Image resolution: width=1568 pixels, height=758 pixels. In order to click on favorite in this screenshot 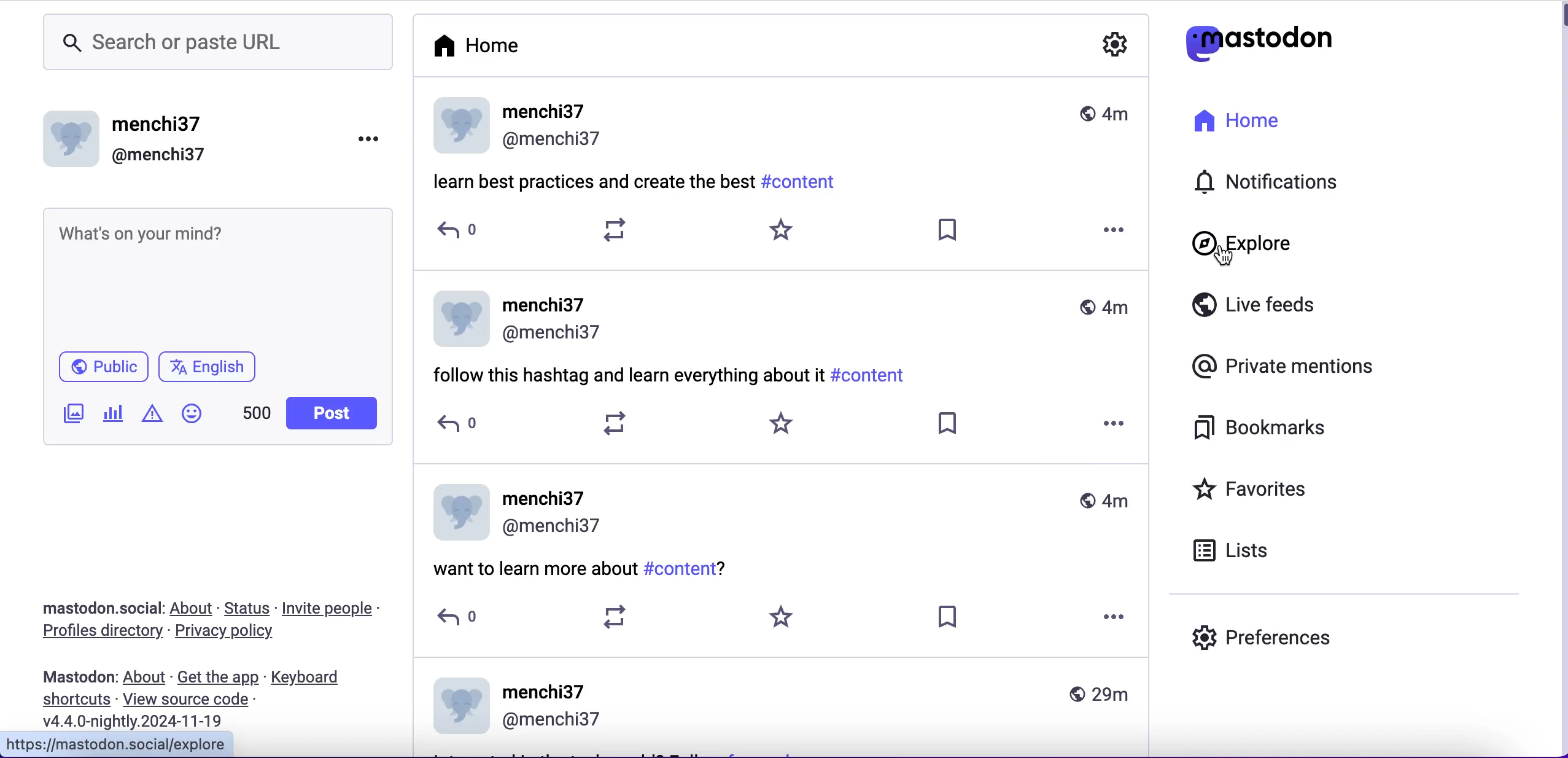, I will do `click(785, 616)`.